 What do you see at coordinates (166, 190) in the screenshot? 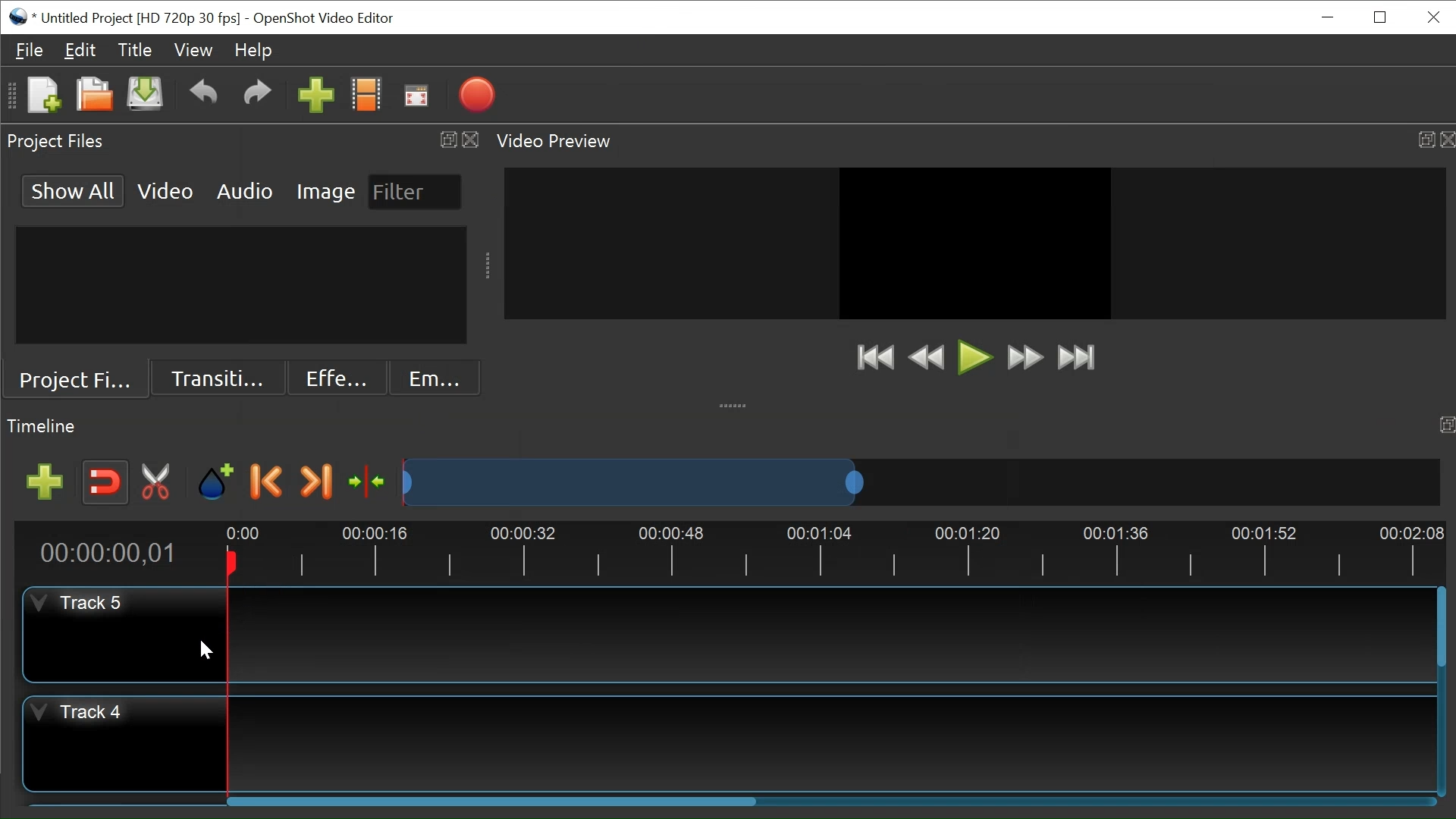
I see `Video` at bounding box center [166, 190].